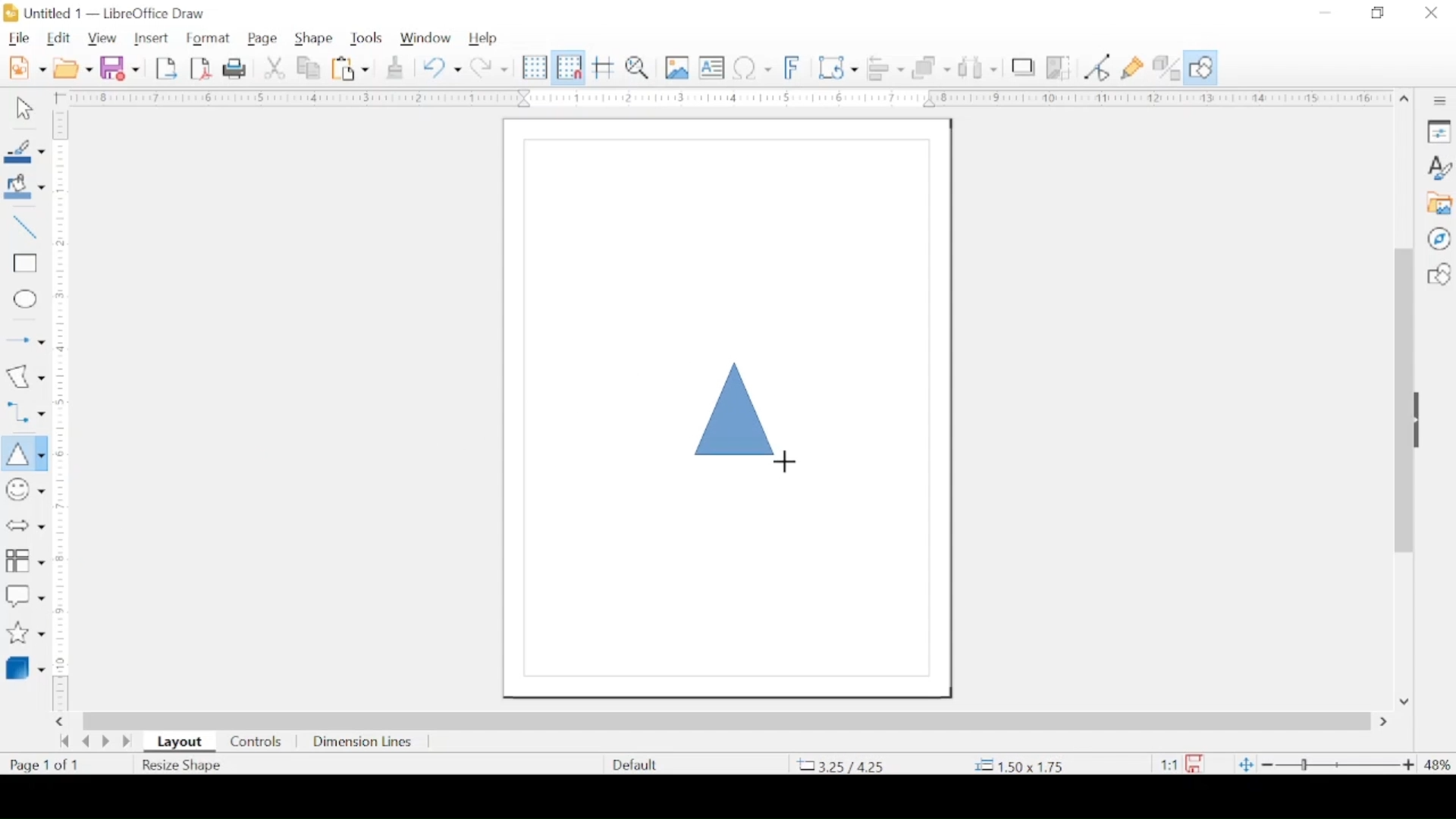 This screenshot has height=819, width=1456. Describe the element at coordinates (24, 111) in the screenshot. I see `select` at that location.